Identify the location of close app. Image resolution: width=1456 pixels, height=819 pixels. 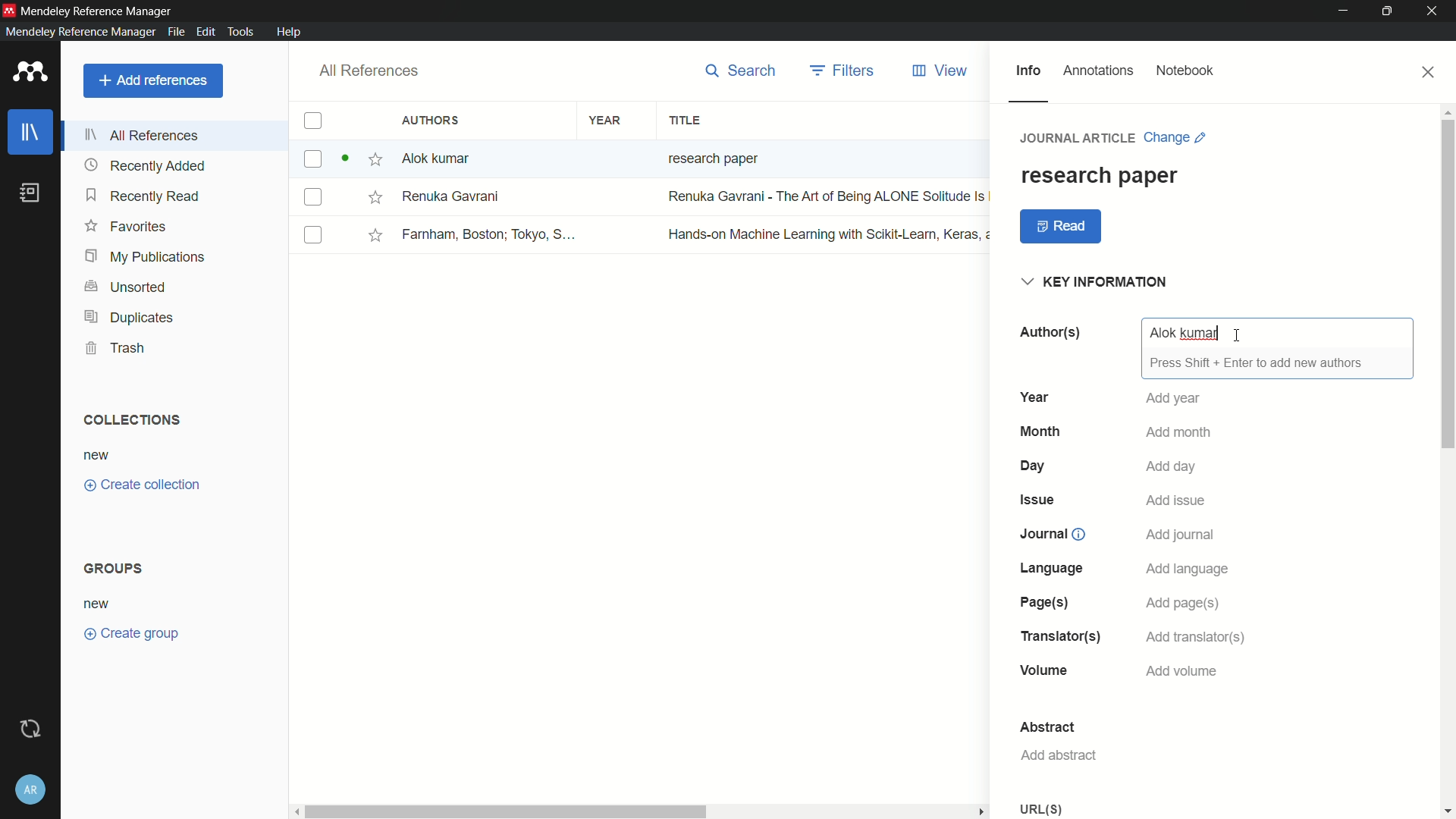
(1435, 11).